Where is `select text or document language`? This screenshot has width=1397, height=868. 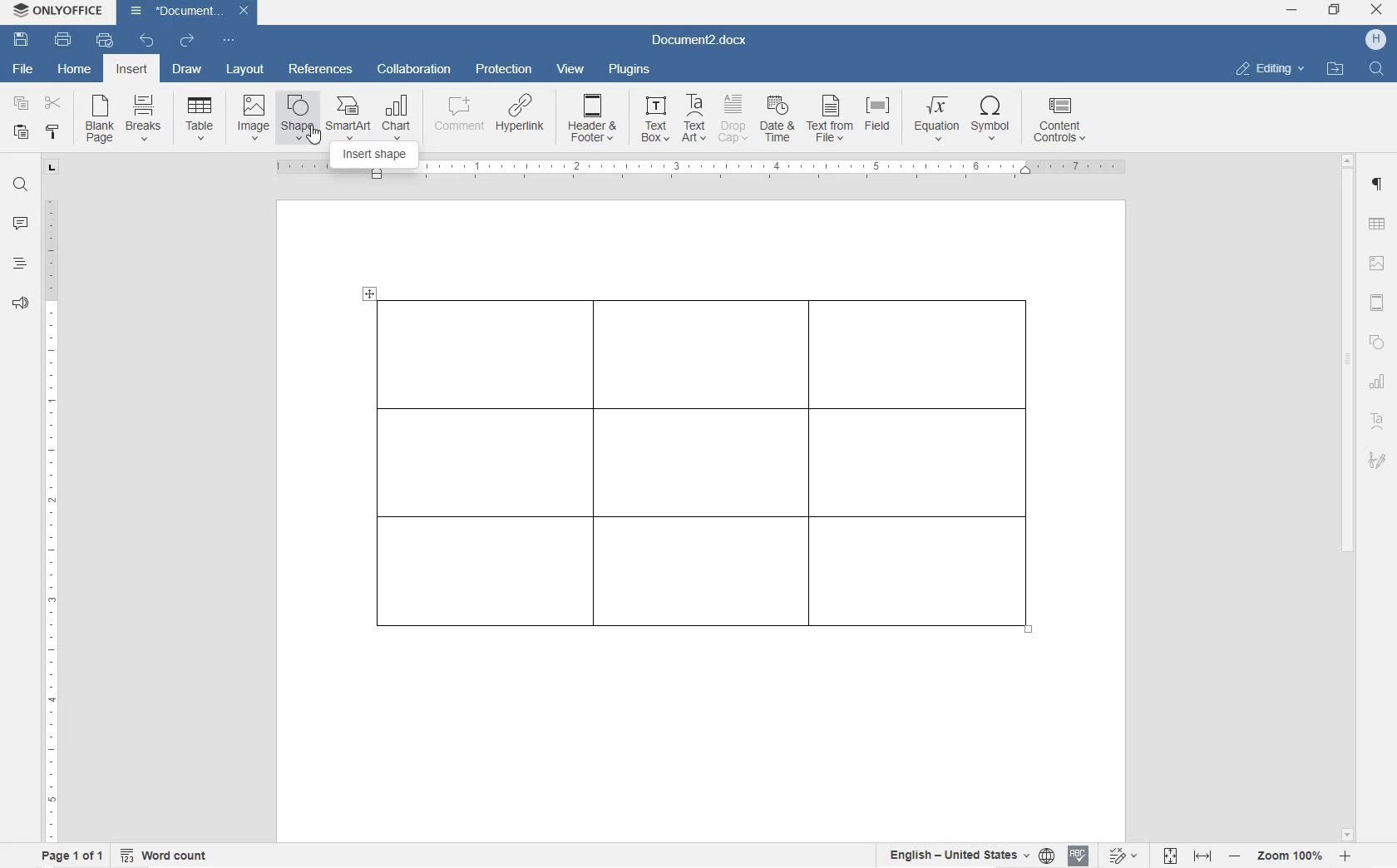 select text or document language is located at coordinates (969, 857).